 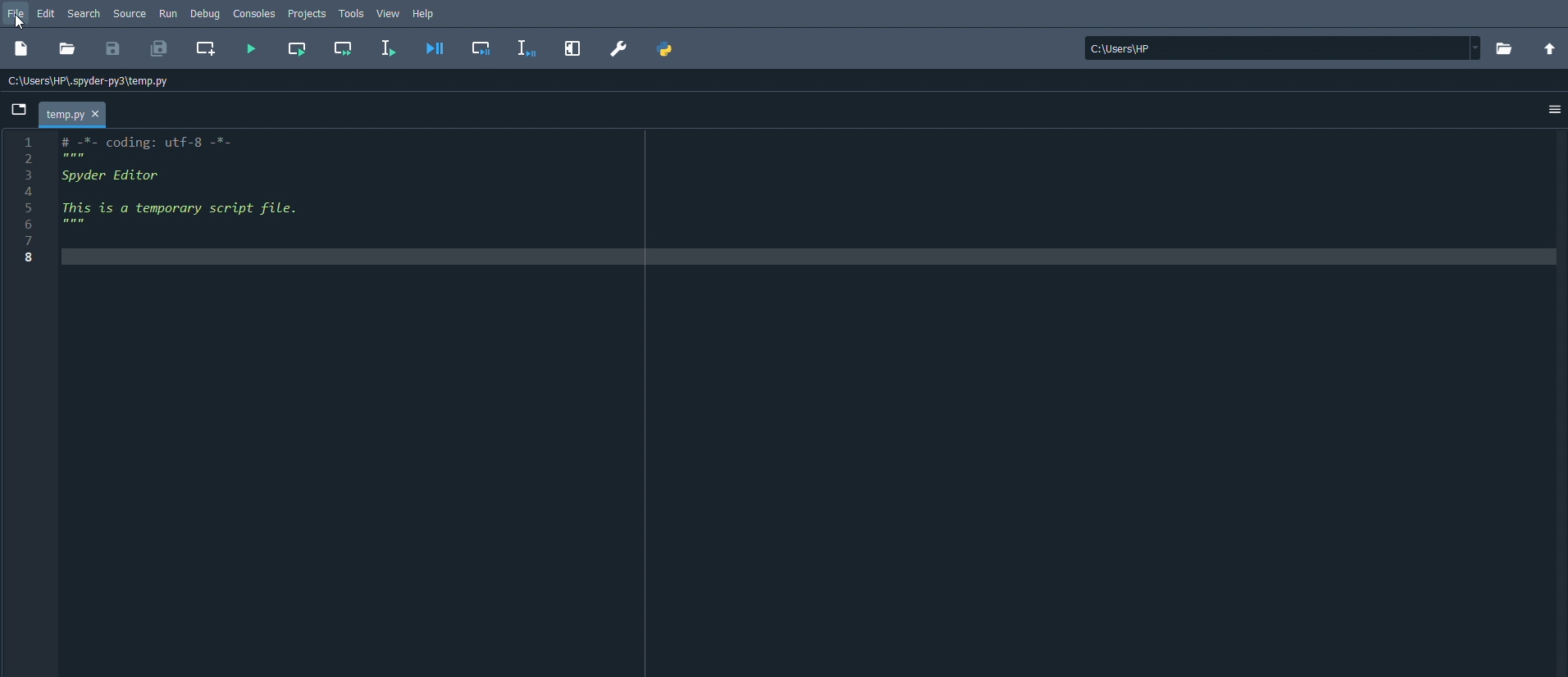 What do you see at coordinates (426, 14) in the screenshot?
I see `Help` at bounding box center [426, 14].